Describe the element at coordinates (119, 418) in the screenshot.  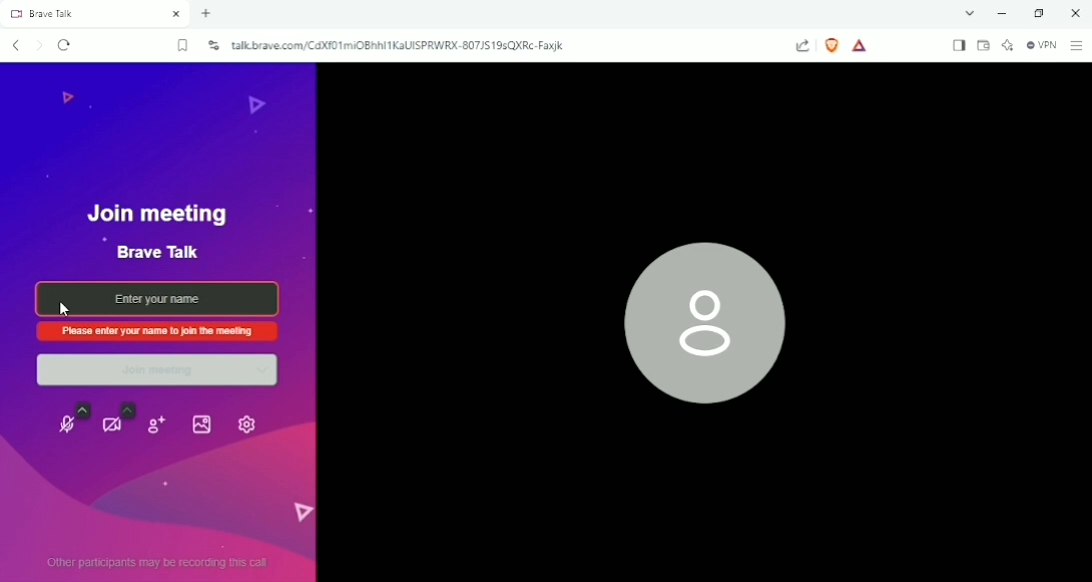
I see `Video settings` at that location.